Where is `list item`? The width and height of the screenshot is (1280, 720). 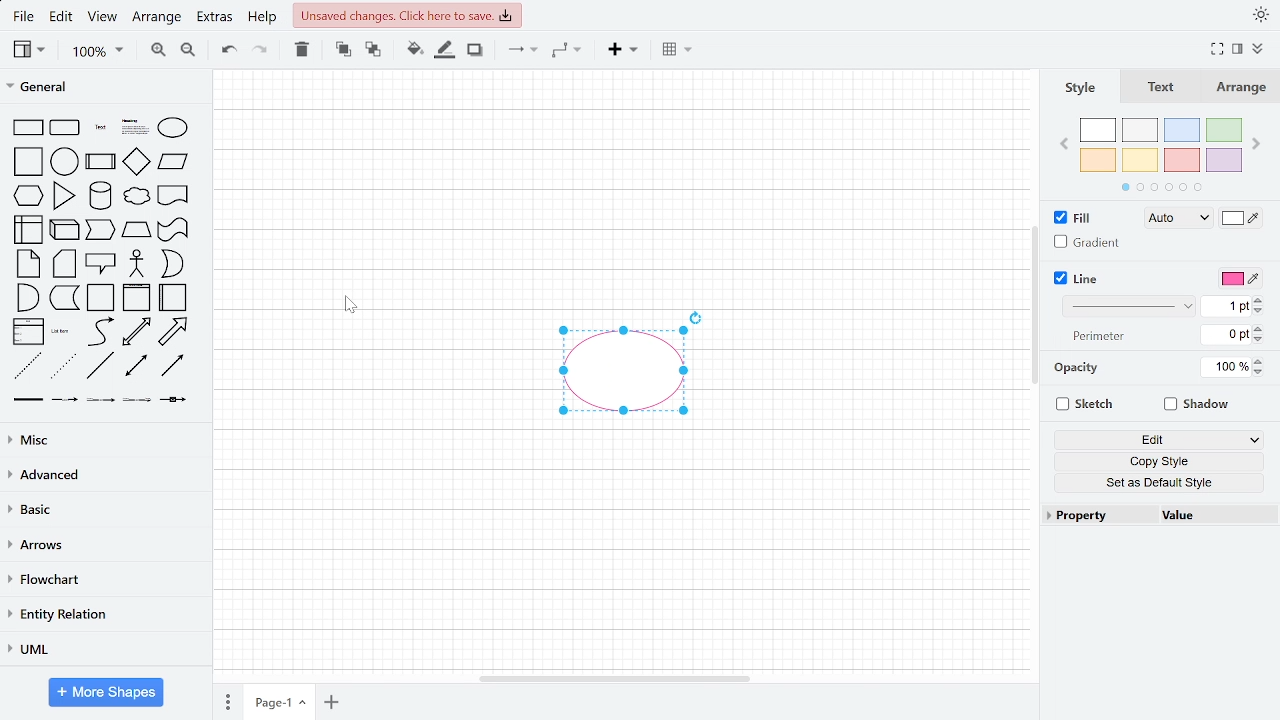
list item is located at coordinates (61, 333).